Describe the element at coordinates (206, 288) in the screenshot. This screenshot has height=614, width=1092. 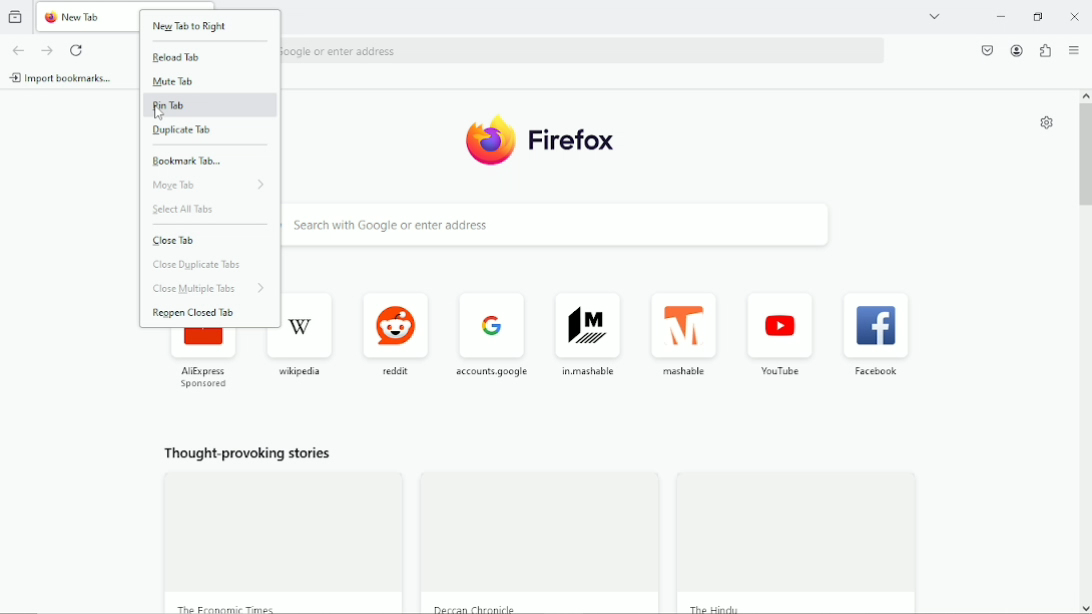
I see `Close multiple tabs` at that location.